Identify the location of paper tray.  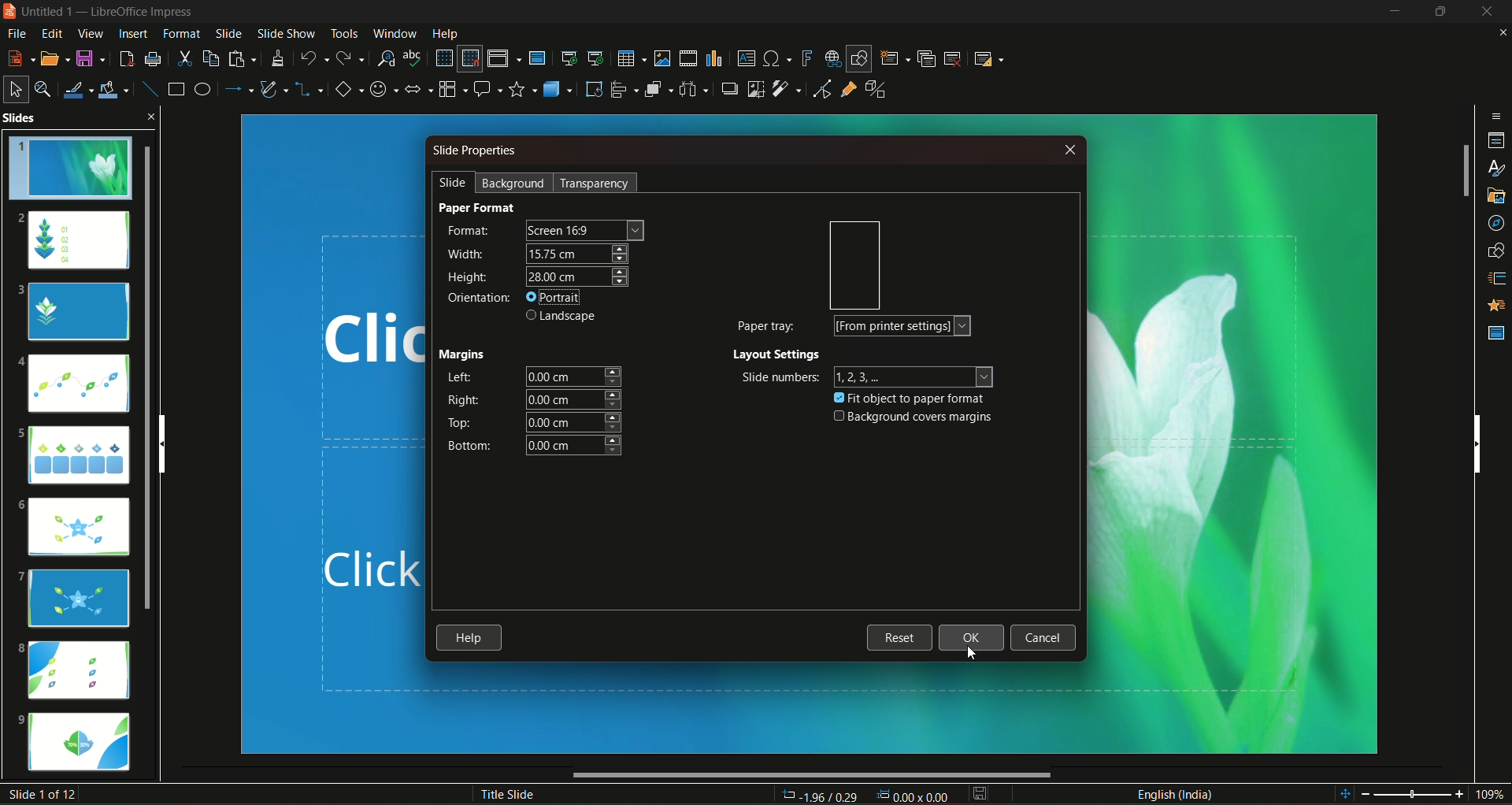
(765, 325).